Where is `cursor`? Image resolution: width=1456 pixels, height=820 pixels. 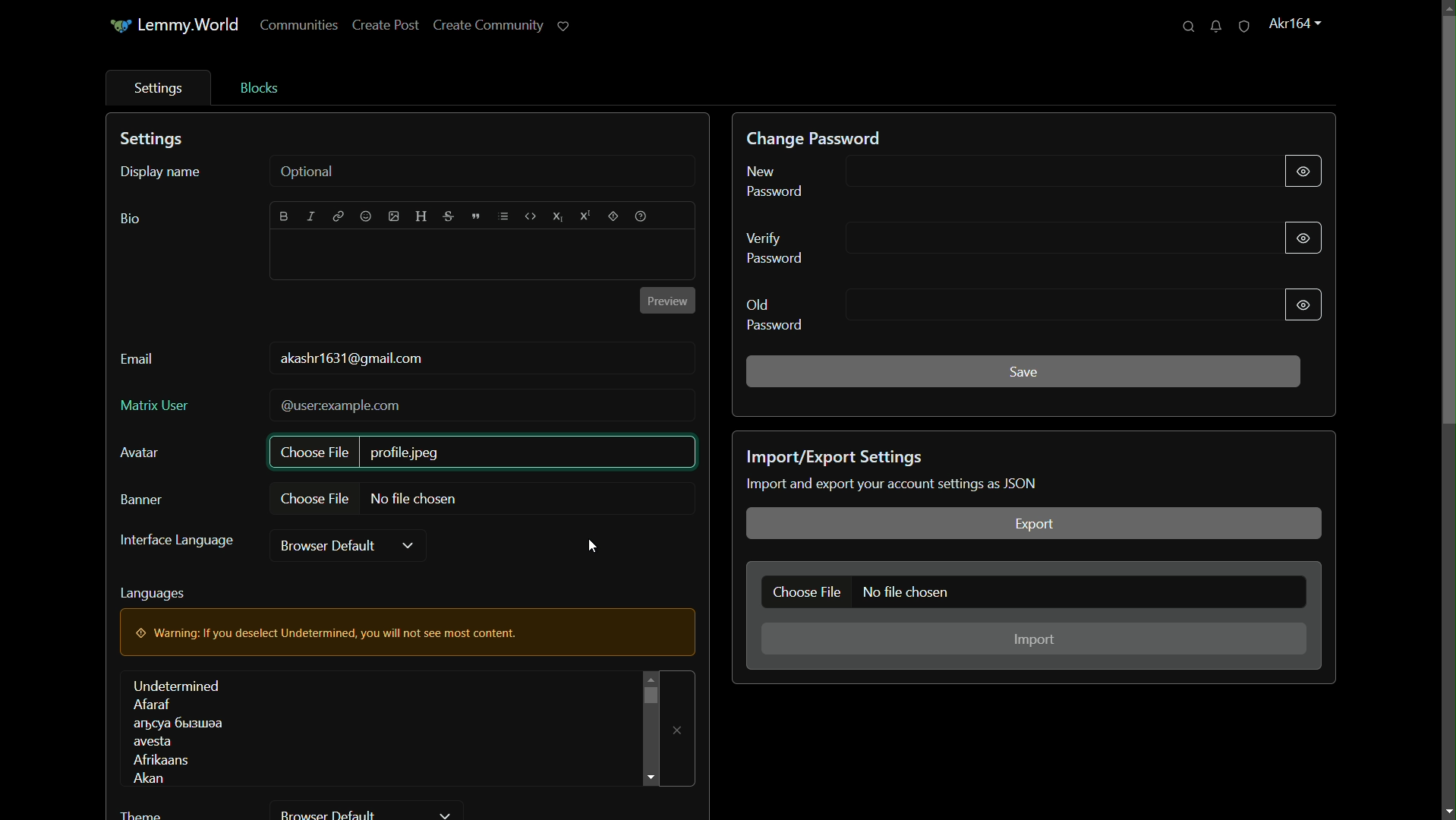 cursor is located at coordinates (592, 547).